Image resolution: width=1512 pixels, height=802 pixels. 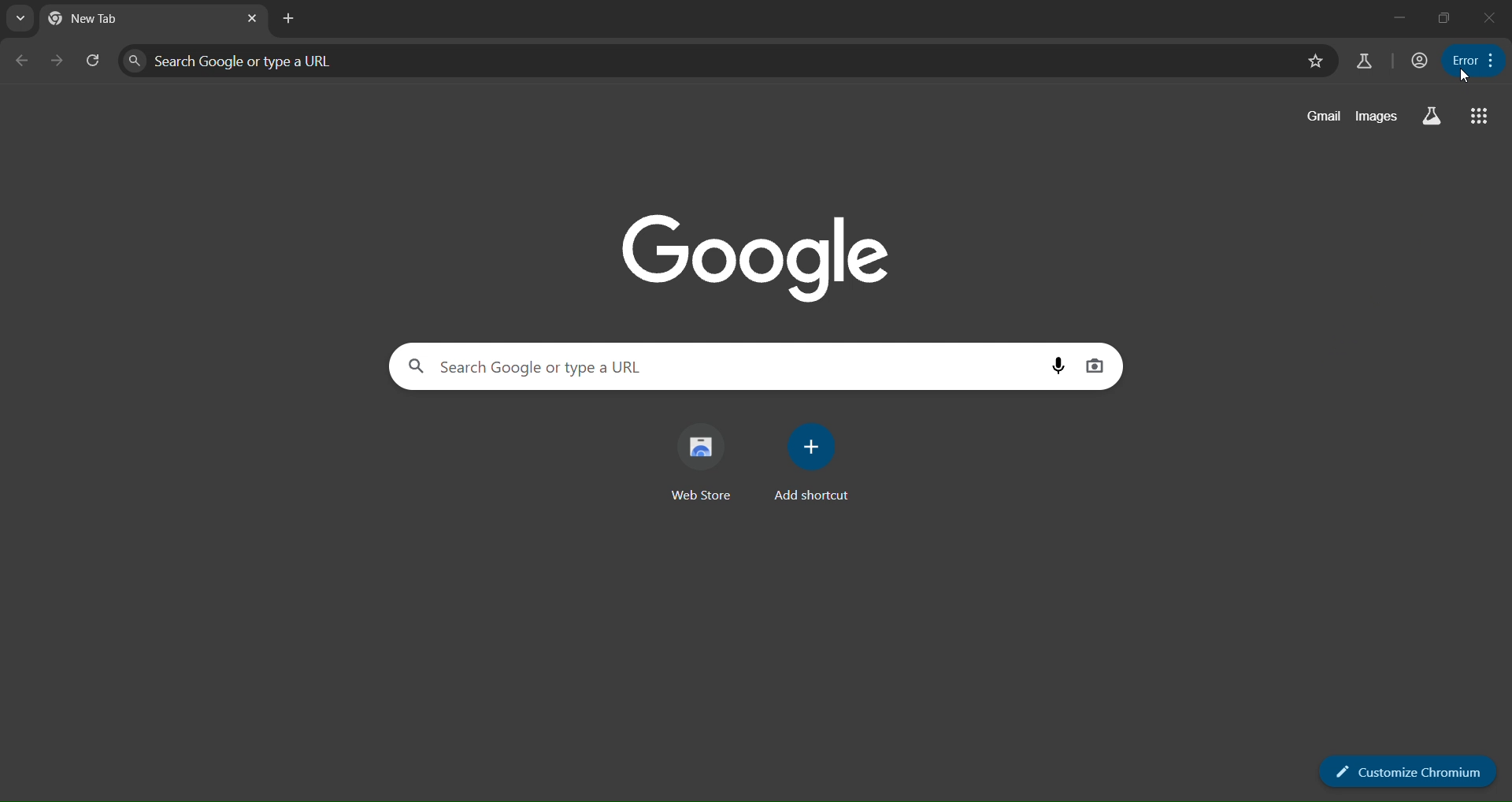 What do you see at coordinates (1362, 61) in the screenshot?
I see `search labs` at bounding box center [1362, 61].